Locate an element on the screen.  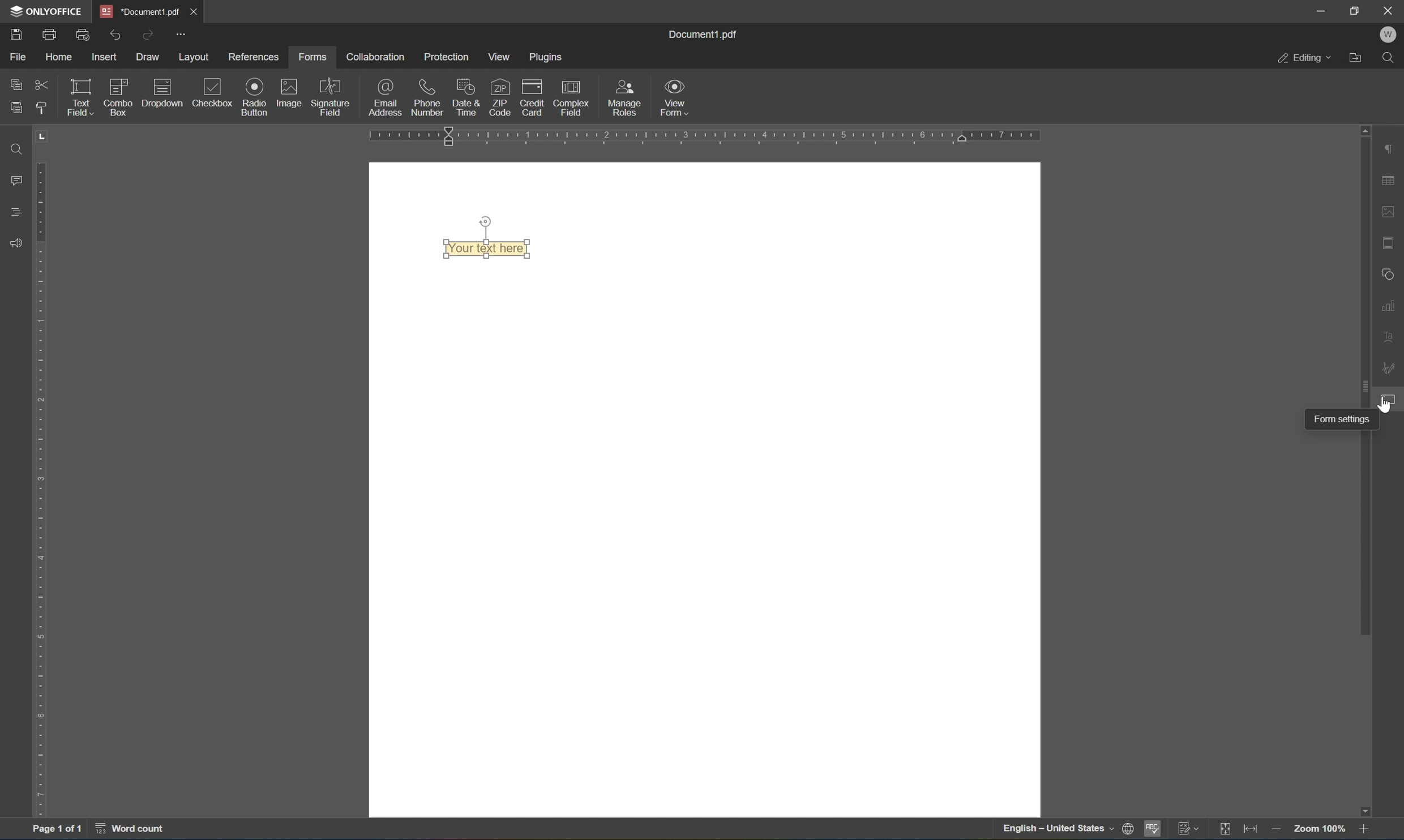
open file location is located at coordinates (1358, 59).